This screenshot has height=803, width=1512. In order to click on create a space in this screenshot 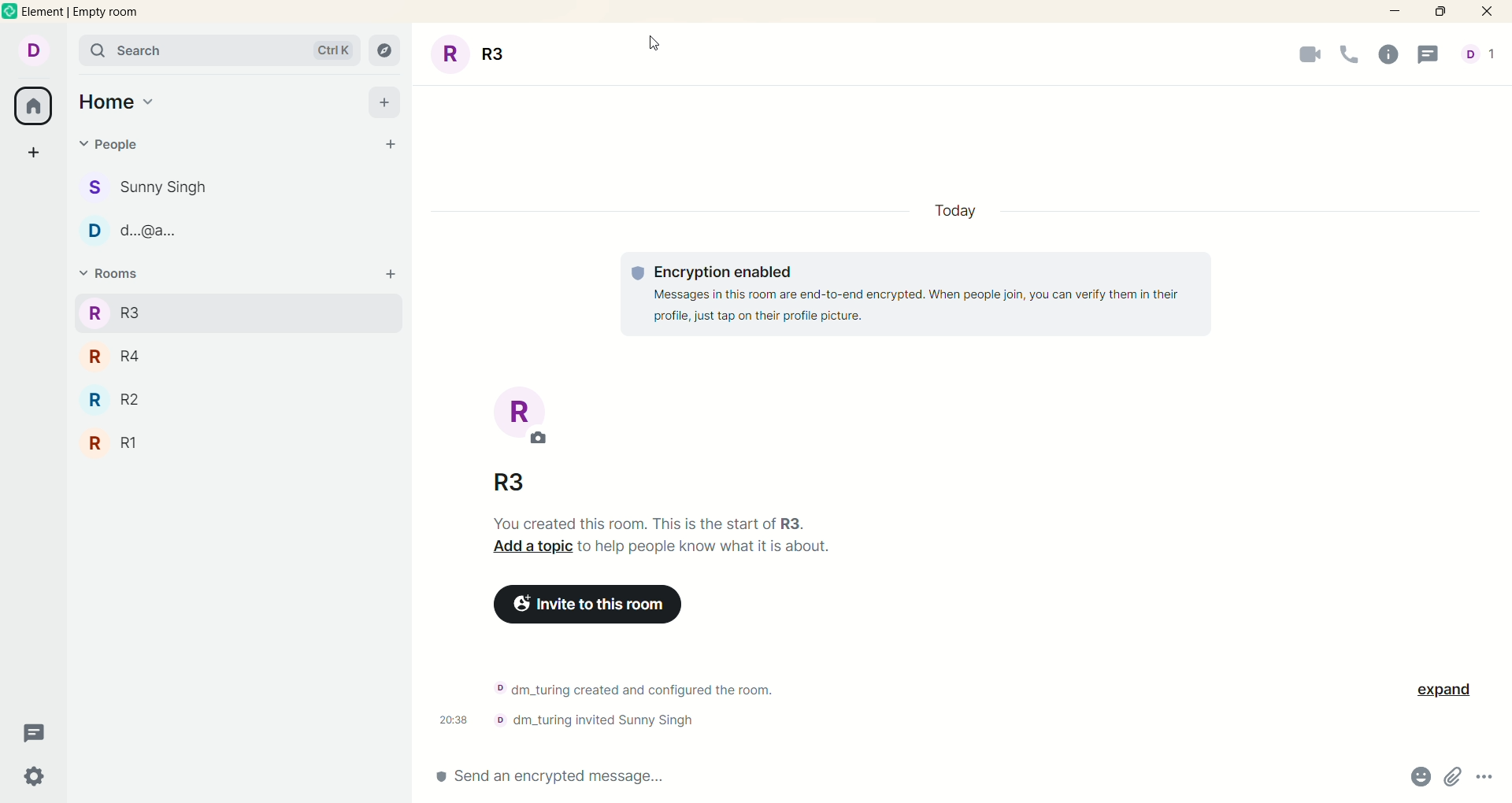, I will do `click(32, 154)`.